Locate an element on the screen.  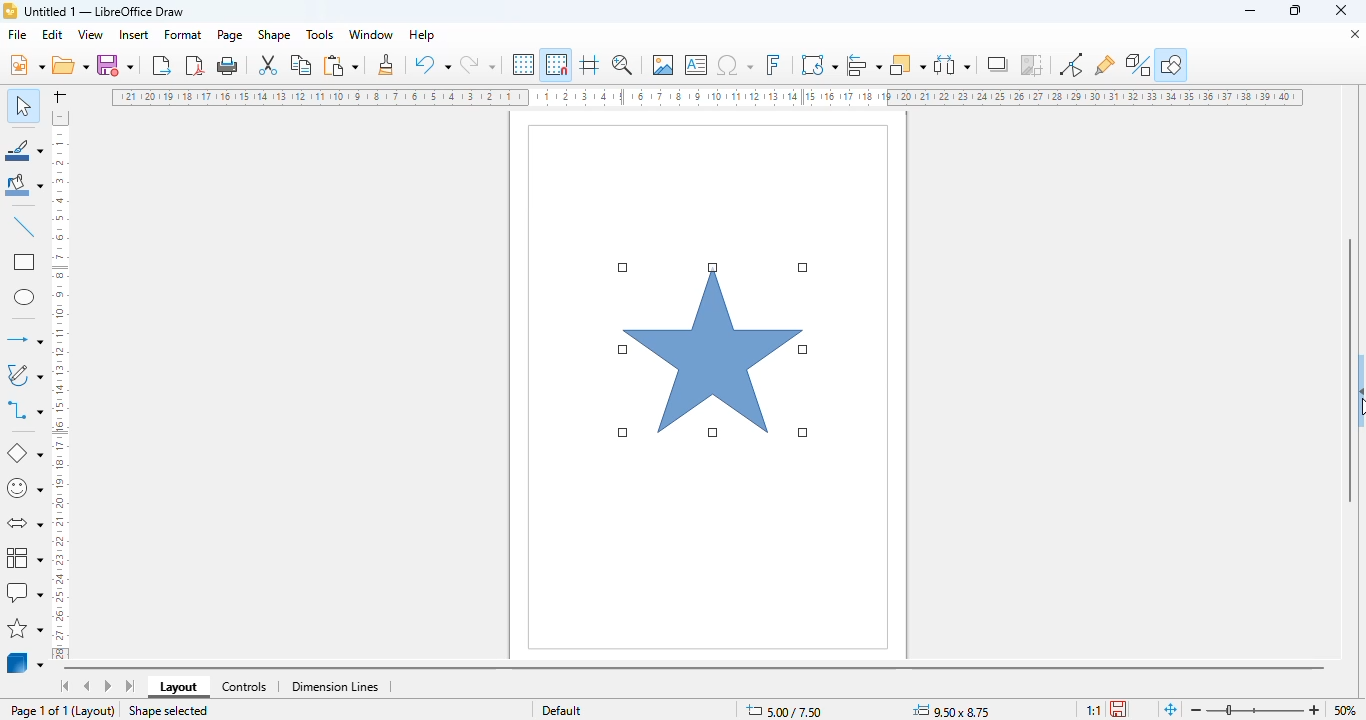
export is located at coordinates (163, 66).